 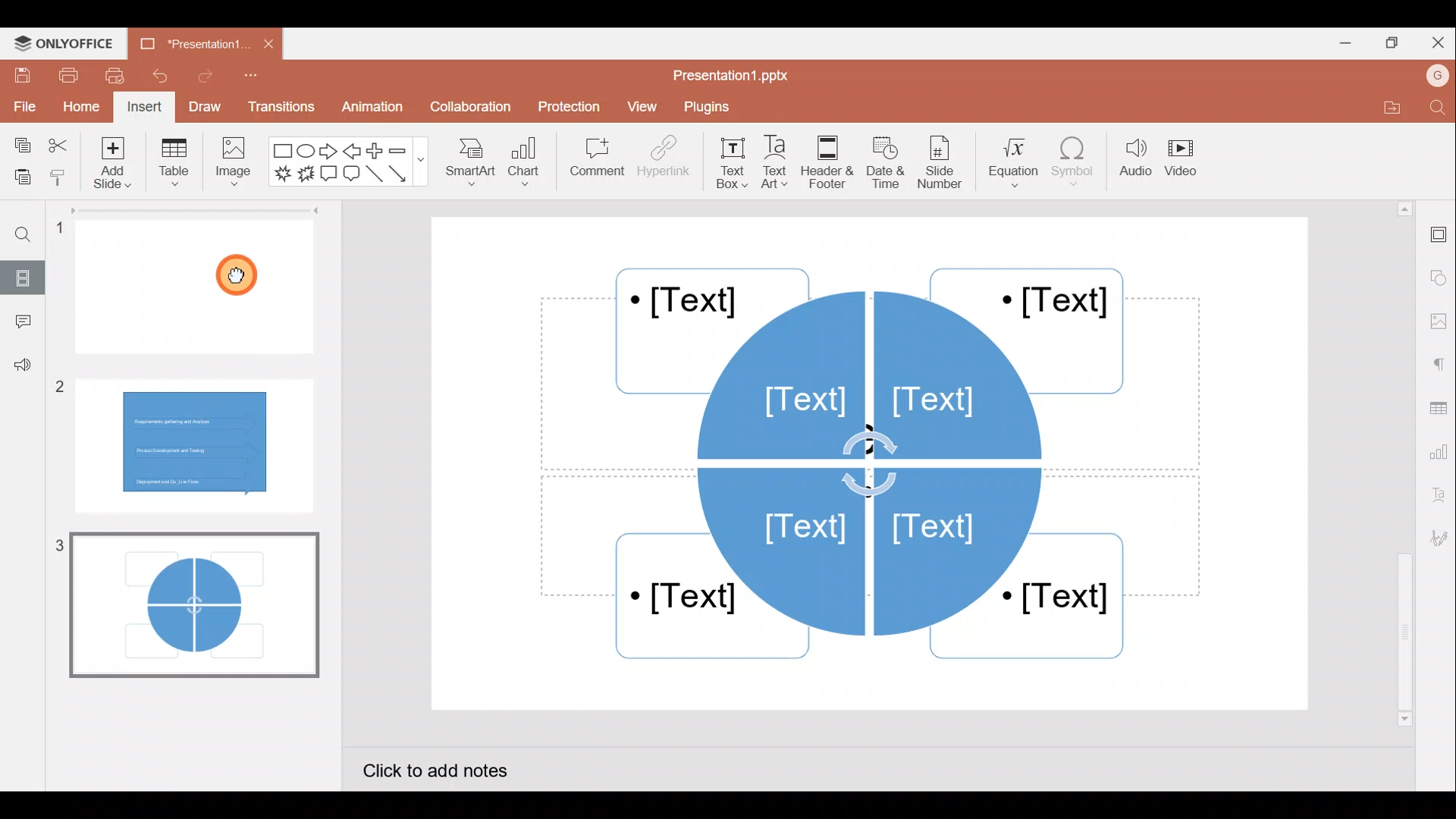 What do you see at coordinates (203, 105) in the screenshot?
I see `Draw` at bounding box center [203, 105].